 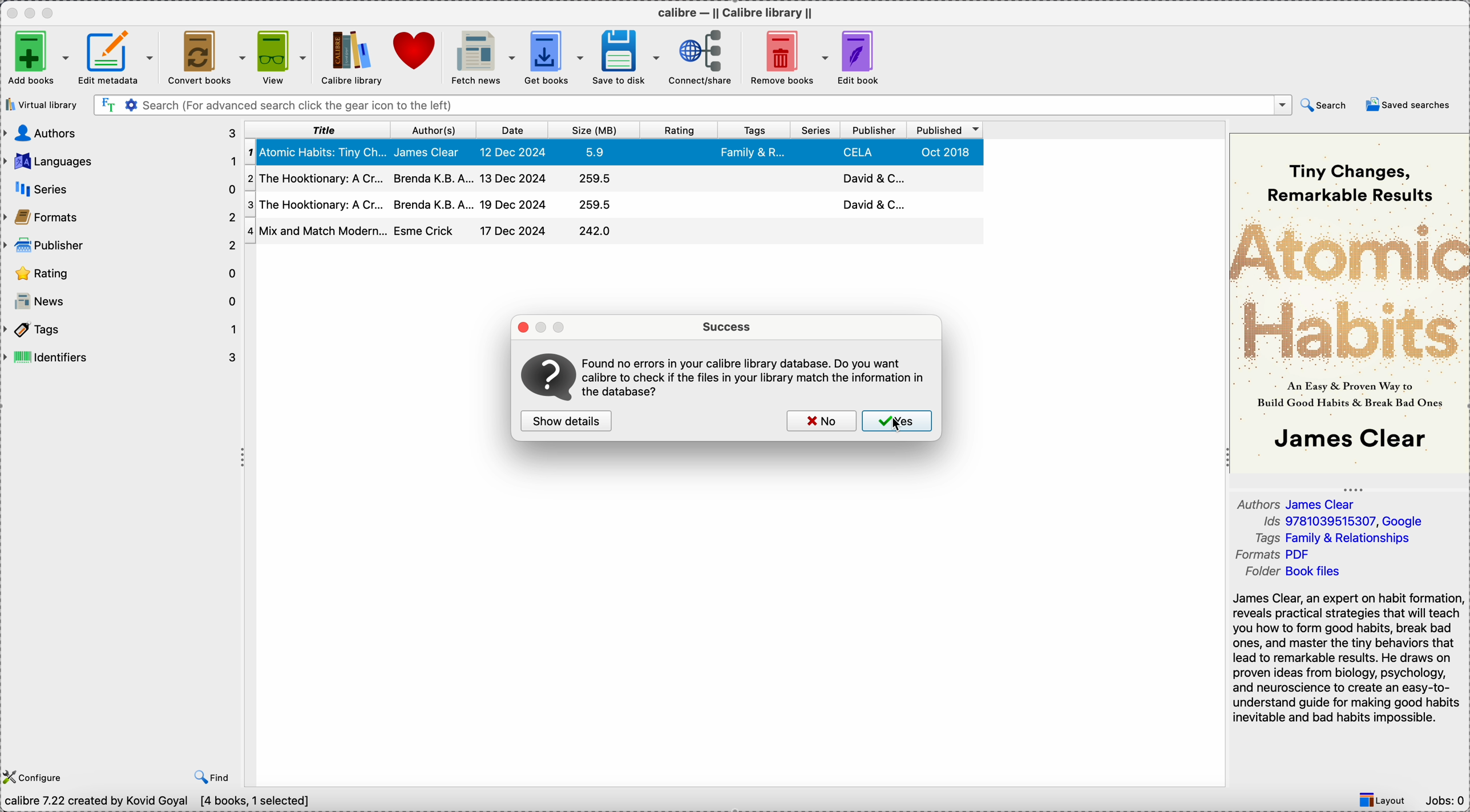 What do you see at coordinates (1408, 106) in the screenshot?
I see `saved searches` at bounding box center [1408, 106].